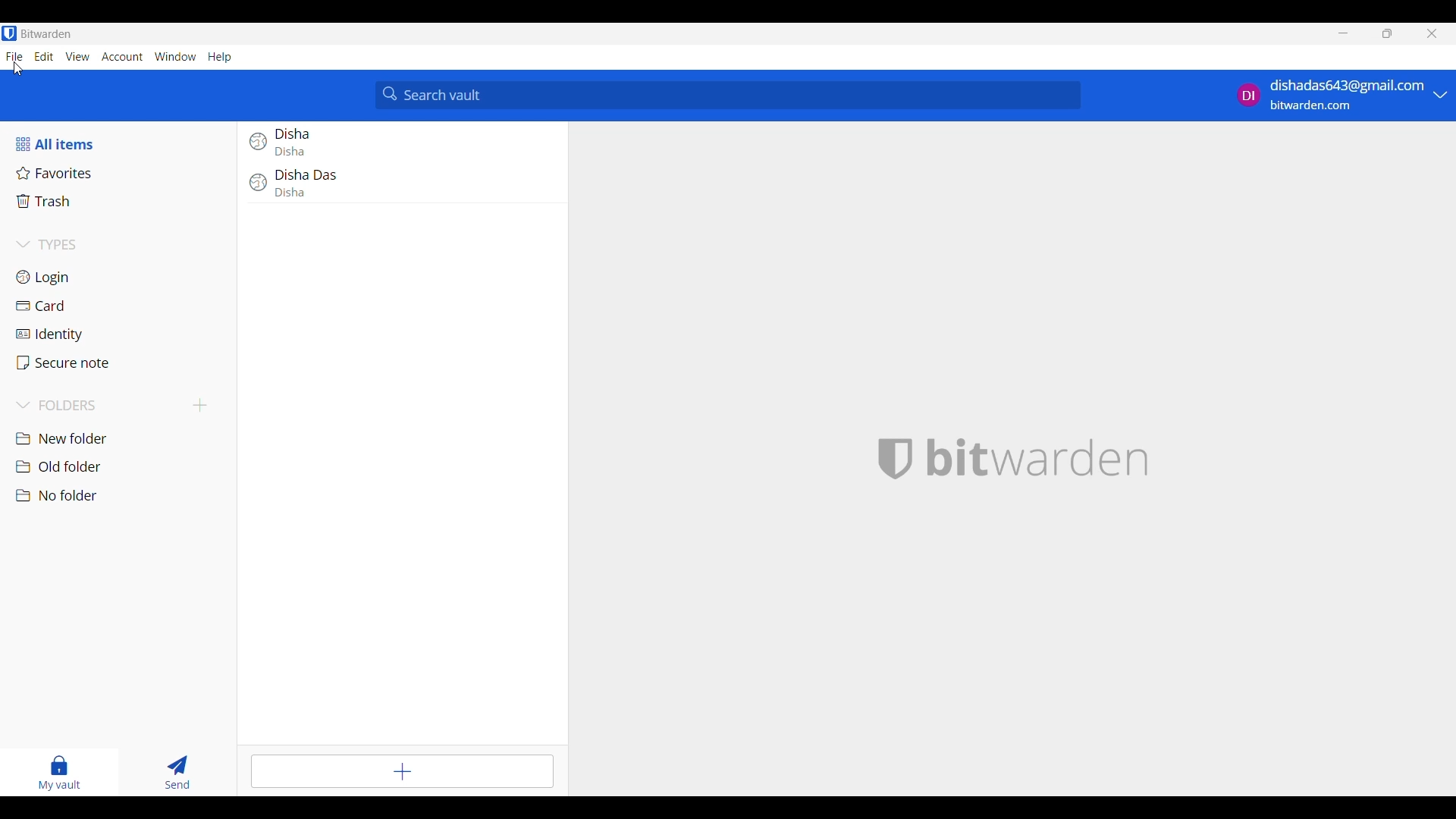 This screenshot has height=819, width=1456. Describe the element at coordinates (120, 278) in the screenshot. I see `Login` at that location.